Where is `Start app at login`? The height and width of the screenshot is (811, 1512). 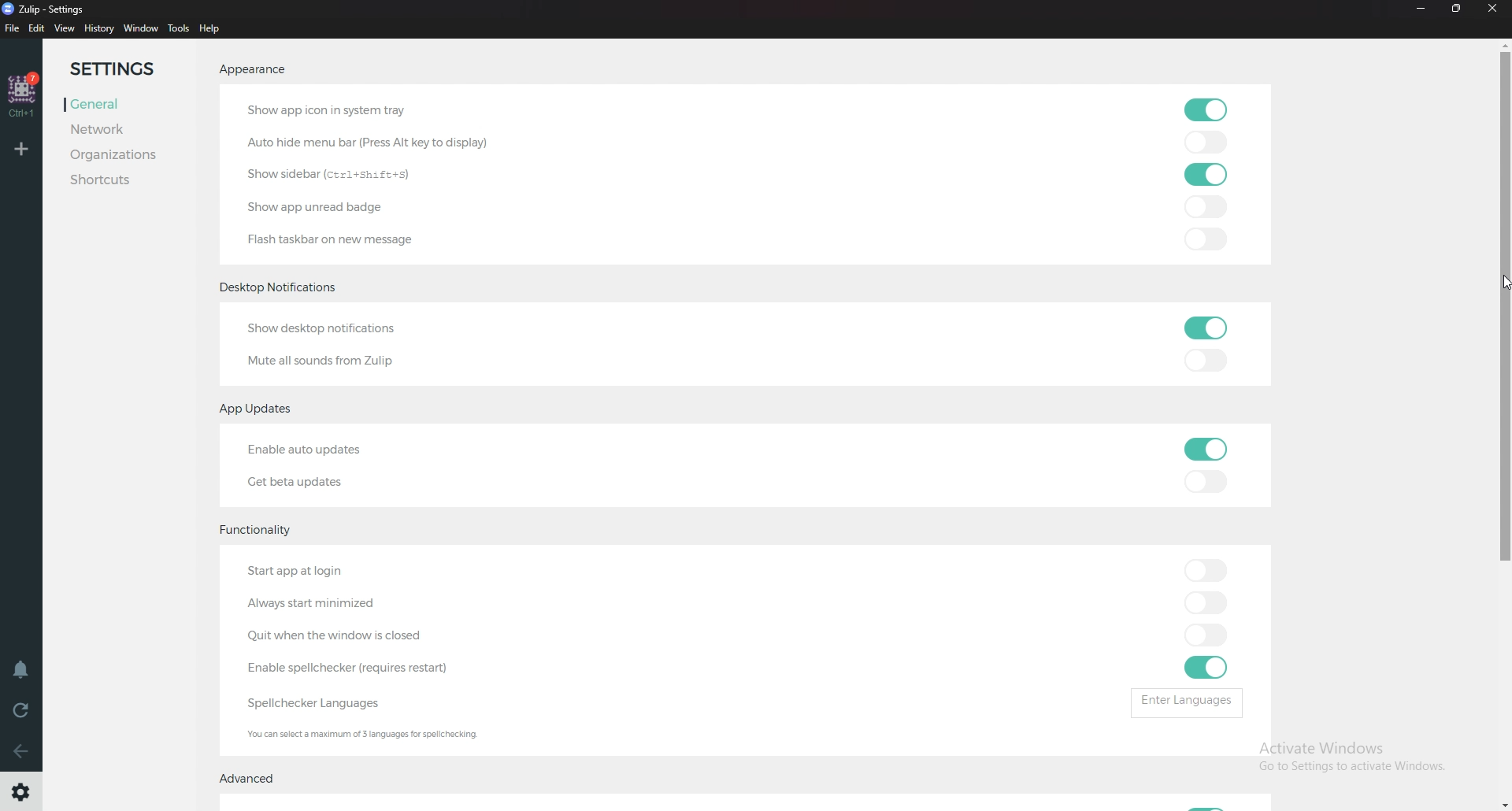 Start app at login is located at coordinates (329, 572).